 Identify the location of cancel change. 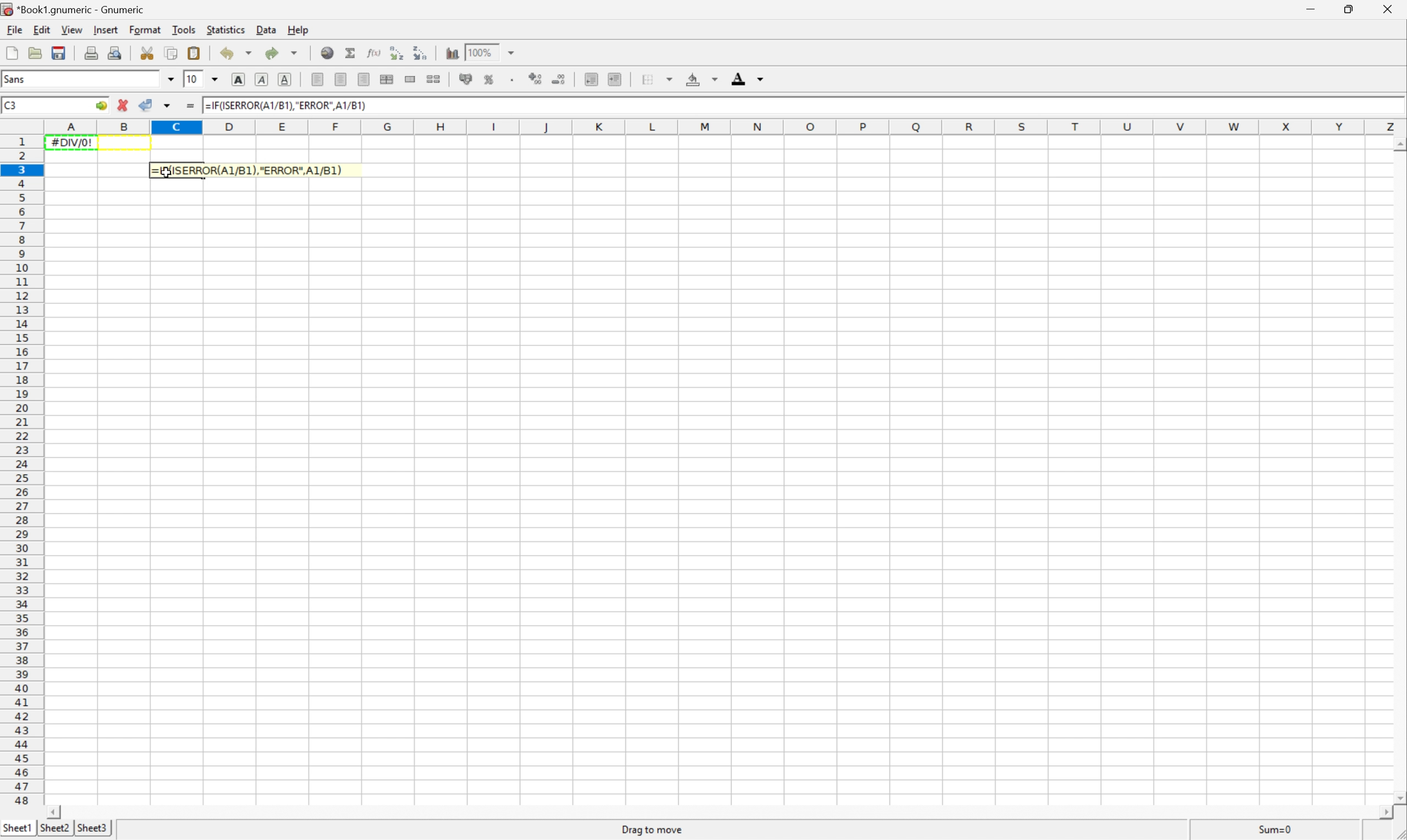
(124, 106).